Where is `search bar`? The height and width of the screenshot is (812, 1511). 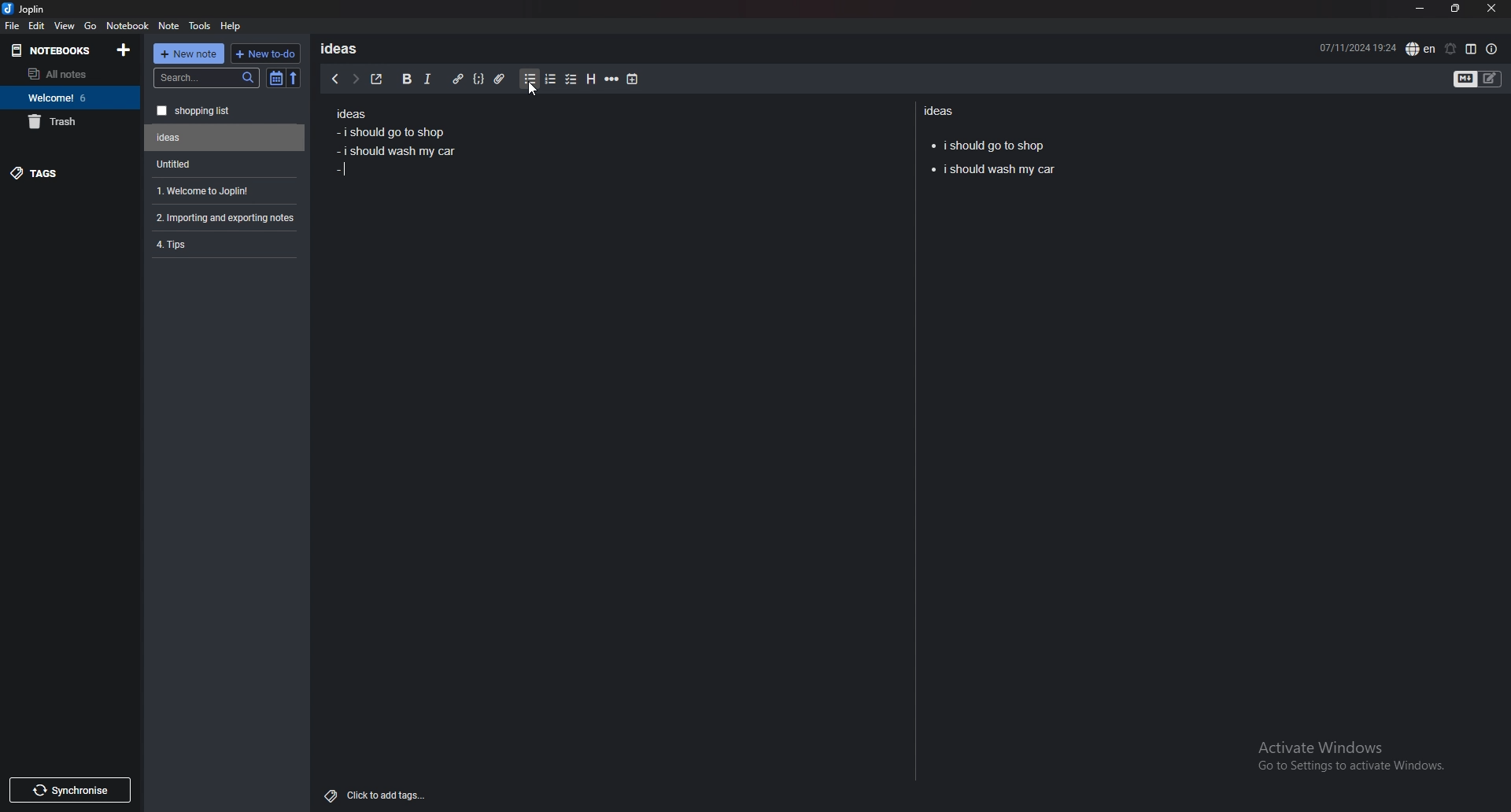
search bar is located at coordinates (207, 78).